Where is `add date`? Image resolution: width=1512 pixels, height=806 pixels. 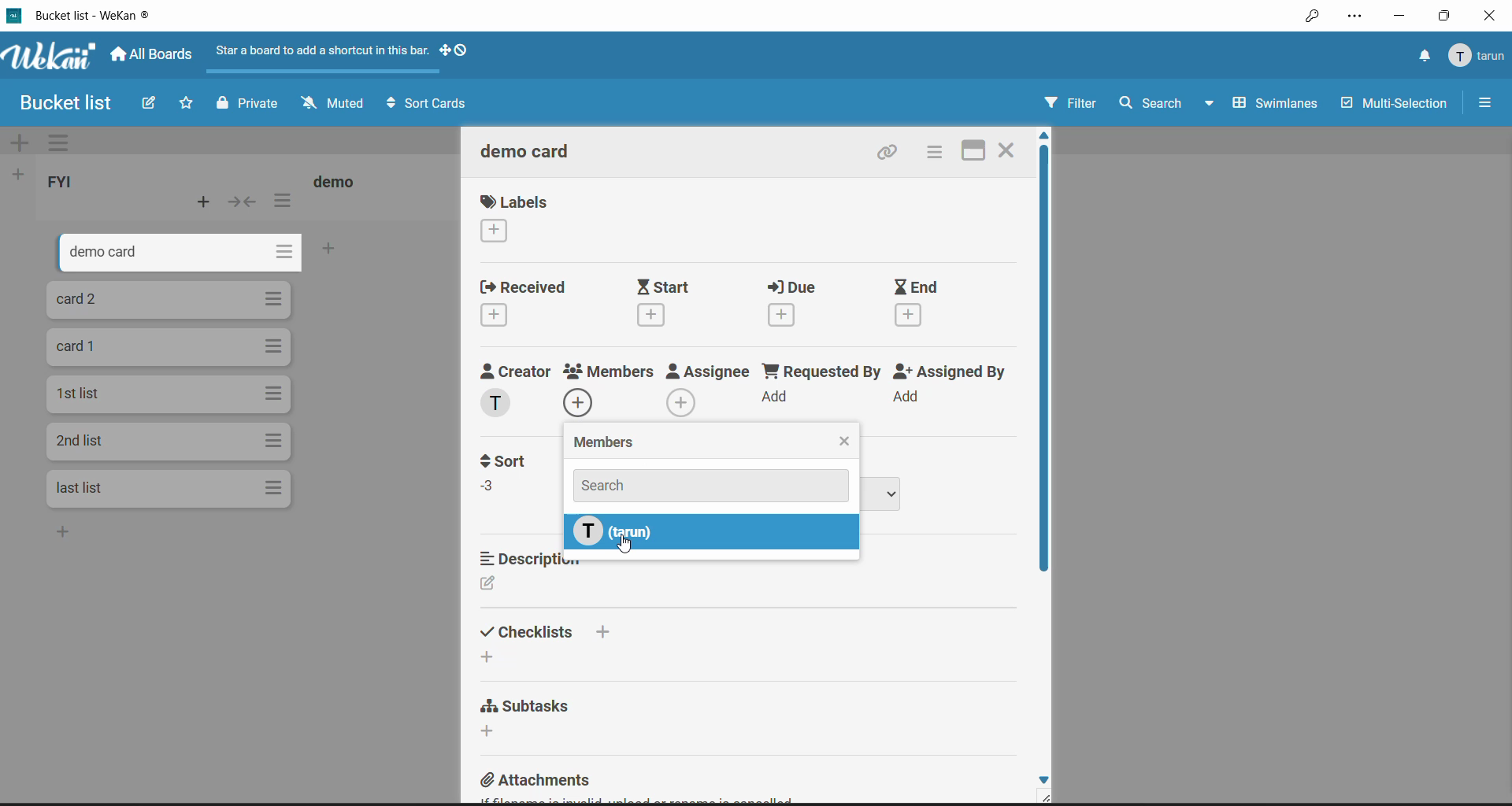
add date is located at coordinates (784, 316).